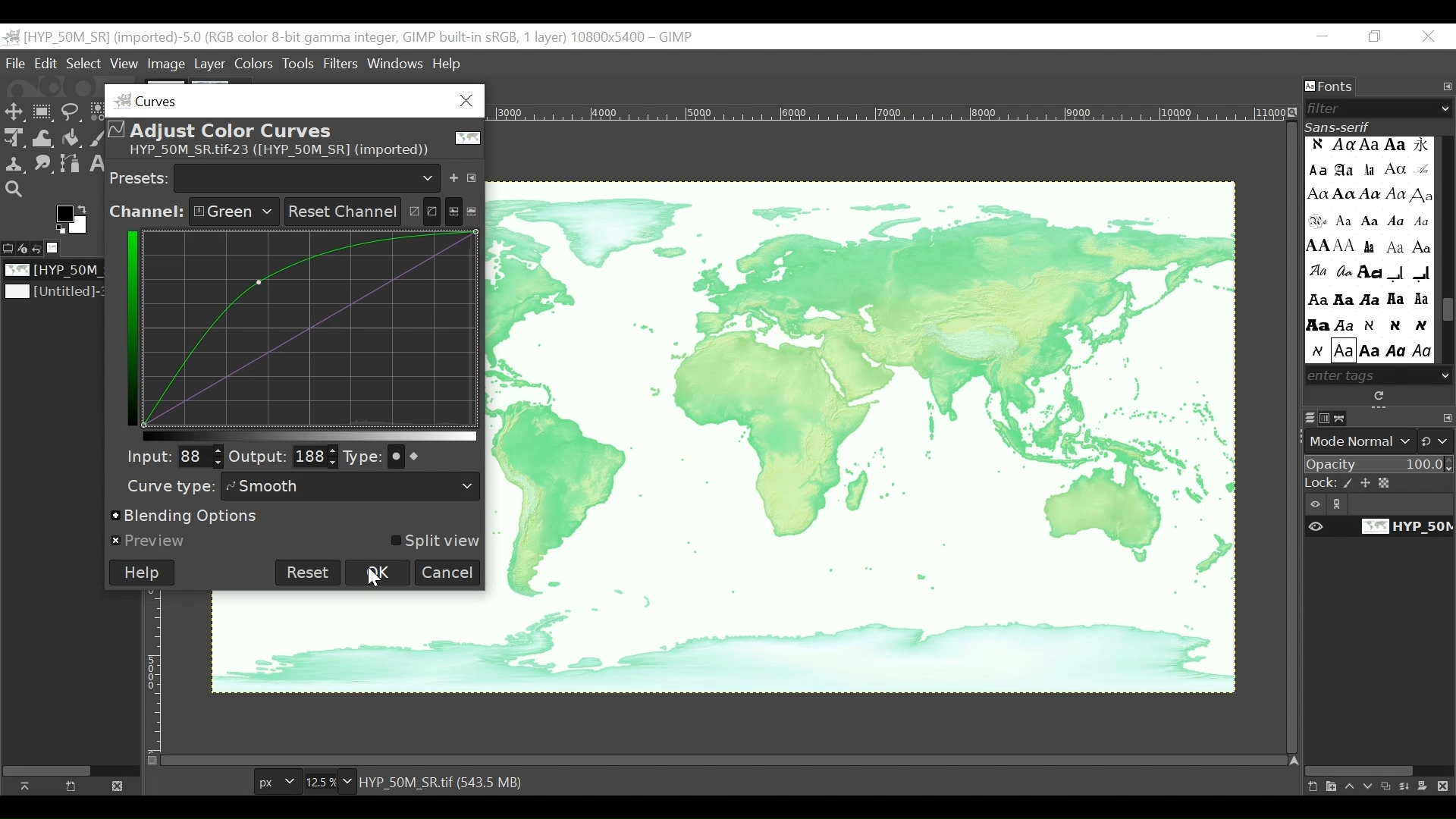  Describe the element at coordinates (75, 219) in the screenshot. I see `Active foreground/background` at that location.